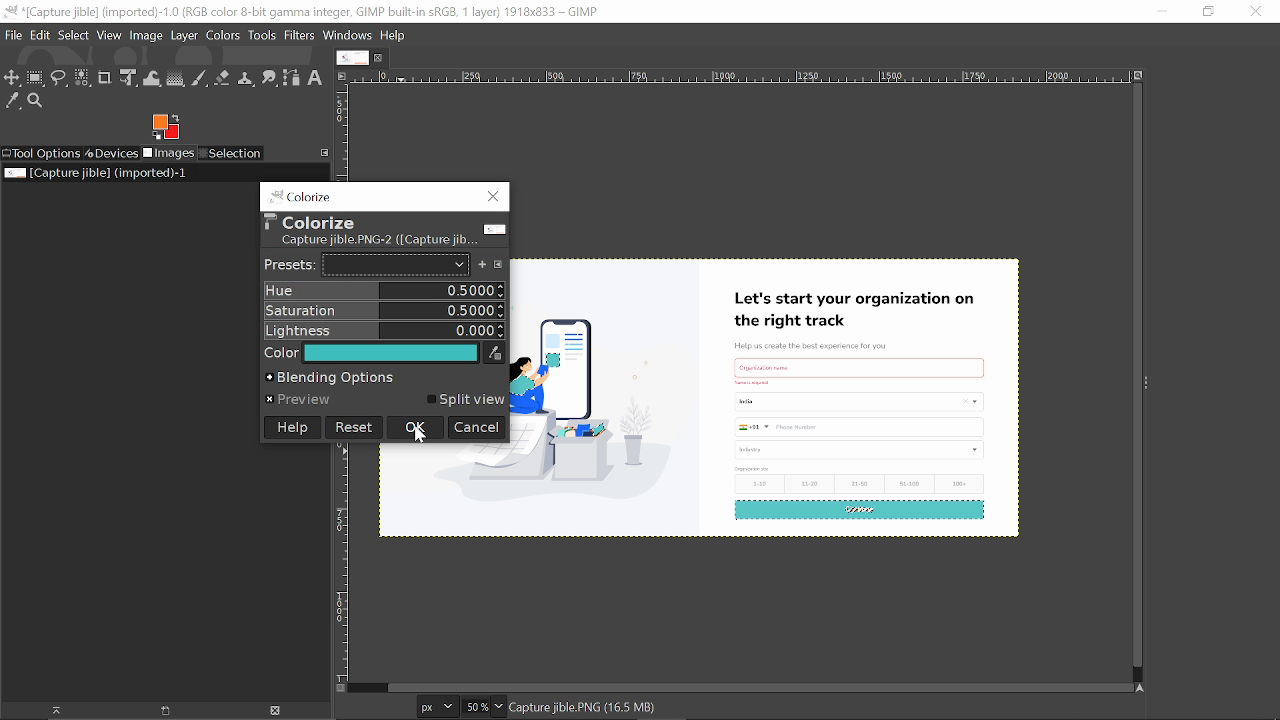 The image size is (1280, 720). I want to click on Reset, so click(354, 427).